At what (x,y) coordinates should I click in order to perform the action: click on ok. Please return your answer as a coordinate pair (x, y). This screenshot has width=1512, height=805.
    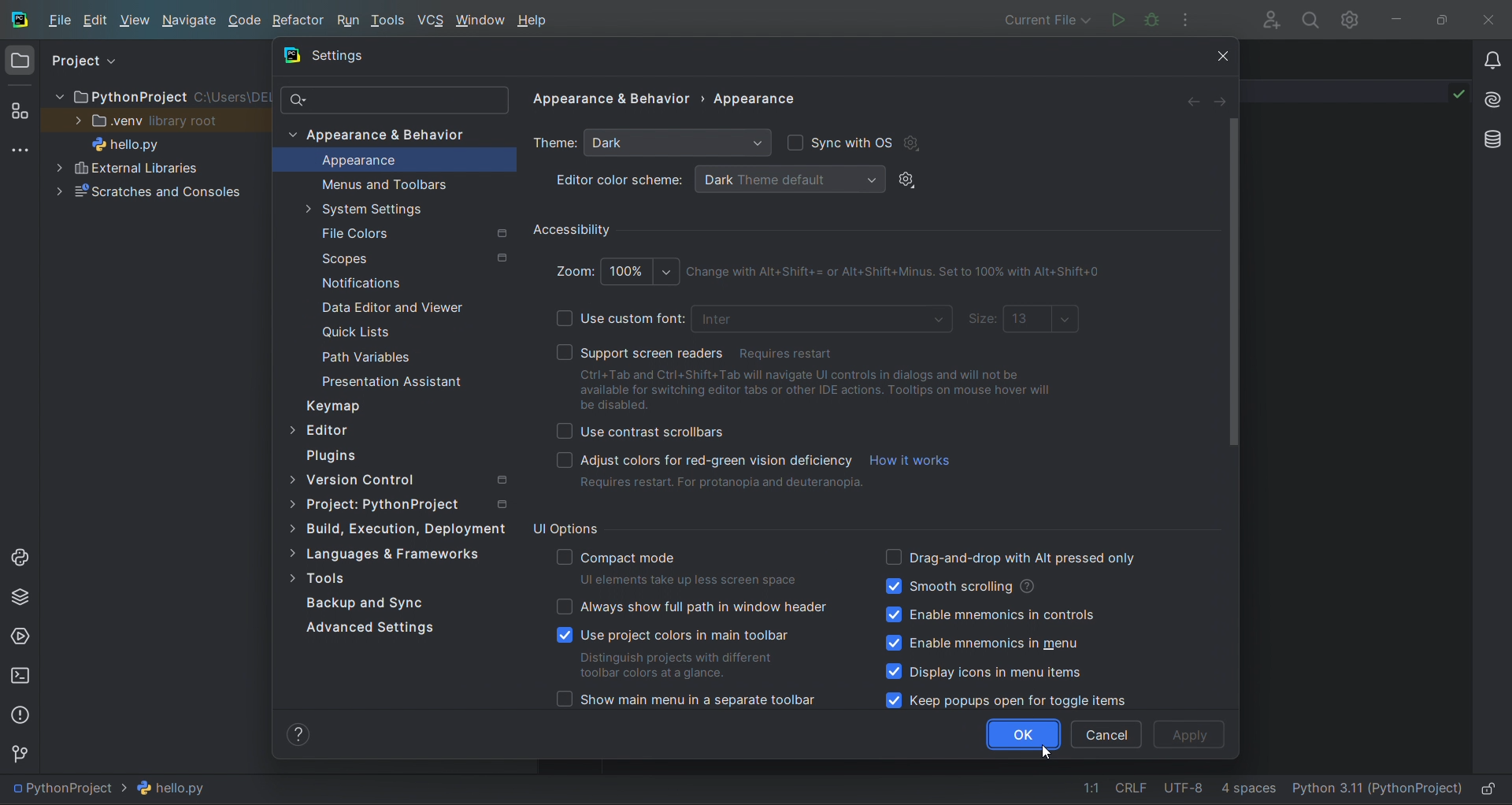
    Looking at the image, I should click on (1021, 735).